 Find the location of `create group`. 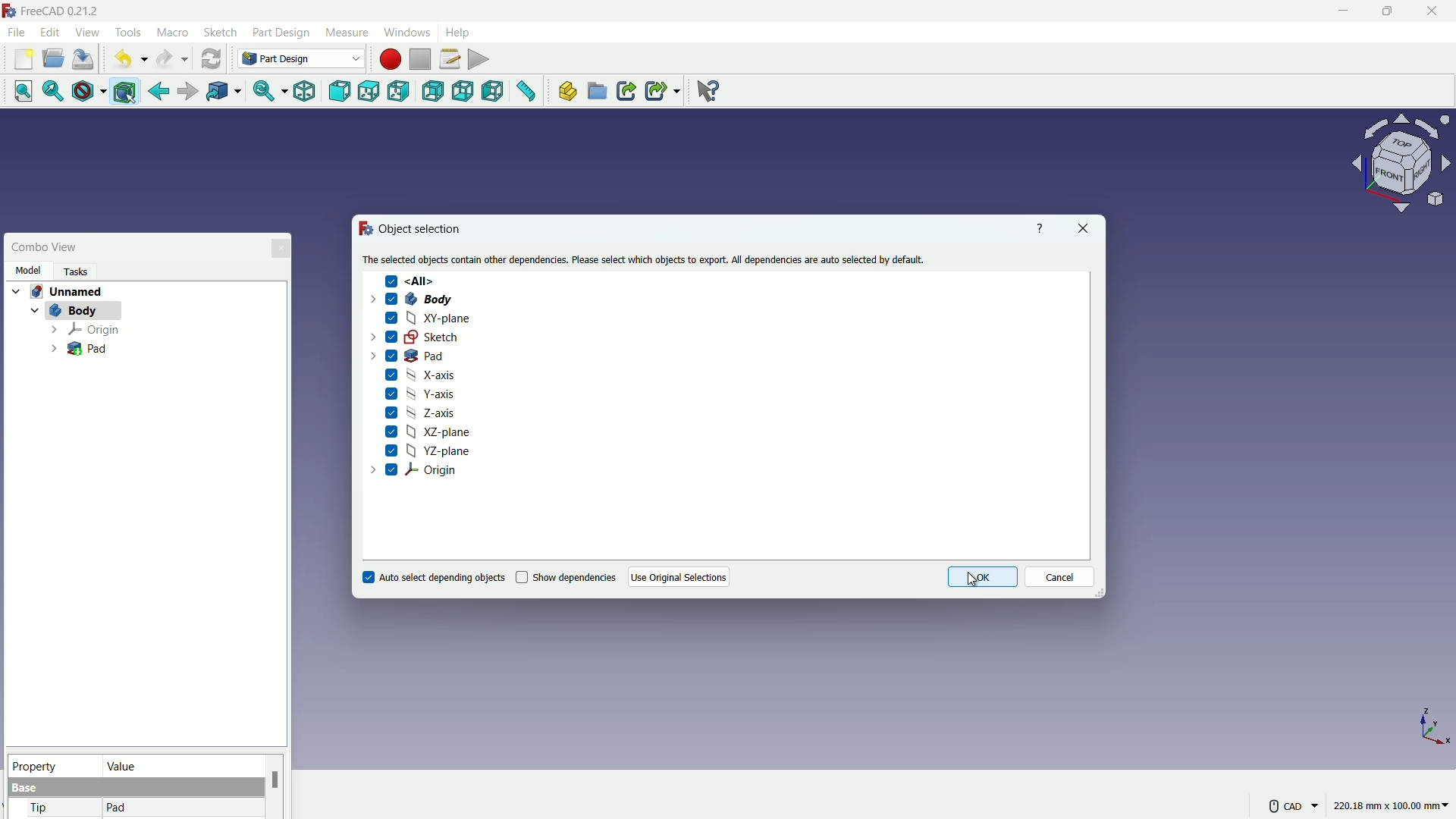

create group is located at coordinates (598, 93).